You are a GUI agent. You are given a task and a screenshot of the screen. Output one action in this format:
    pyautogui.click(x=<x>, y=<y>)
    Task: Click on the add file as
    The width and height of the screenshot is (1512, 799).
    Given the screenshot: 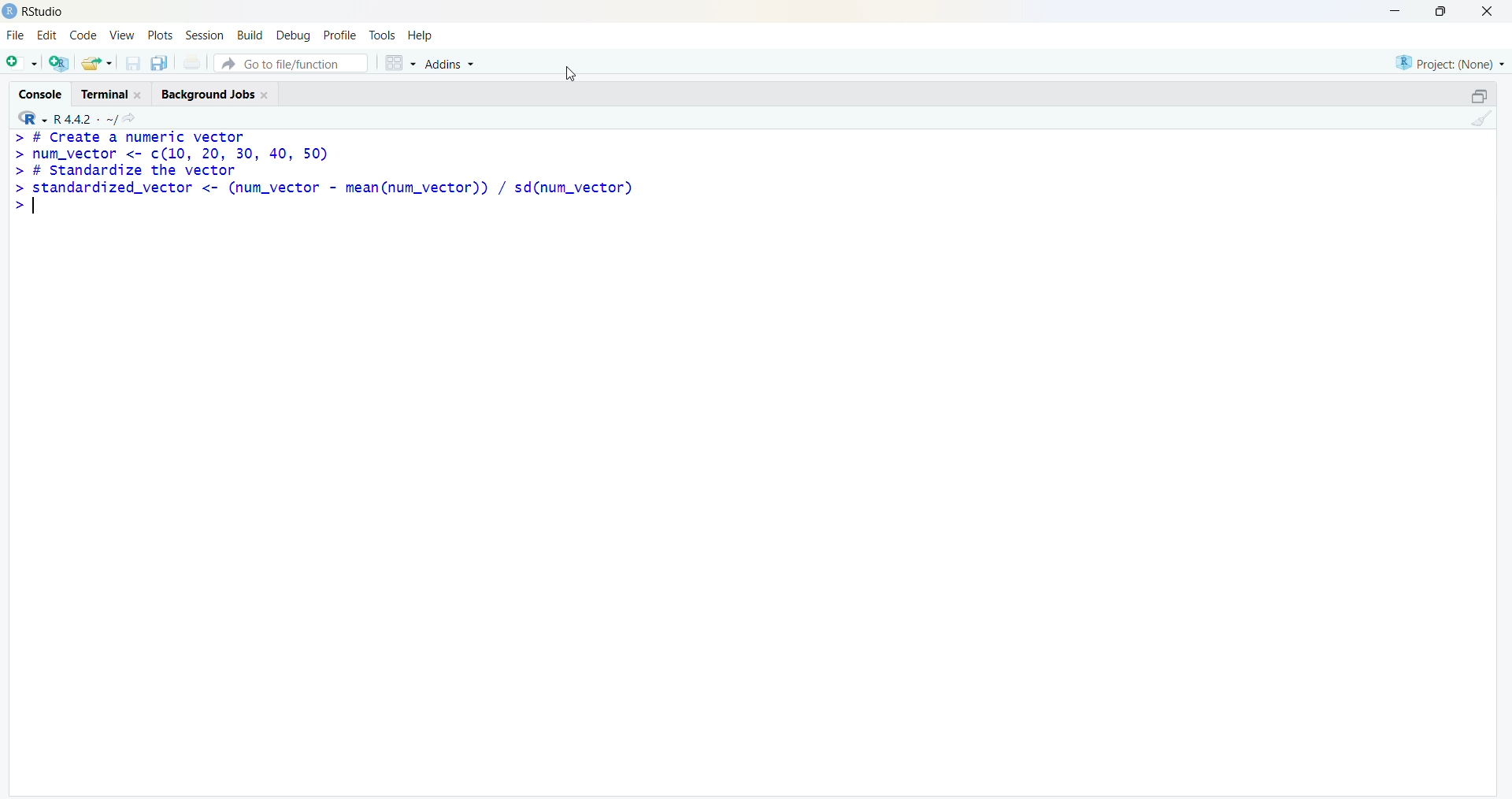 What is the action you would take?
    pyautogui.click(x=24, y=63)
    